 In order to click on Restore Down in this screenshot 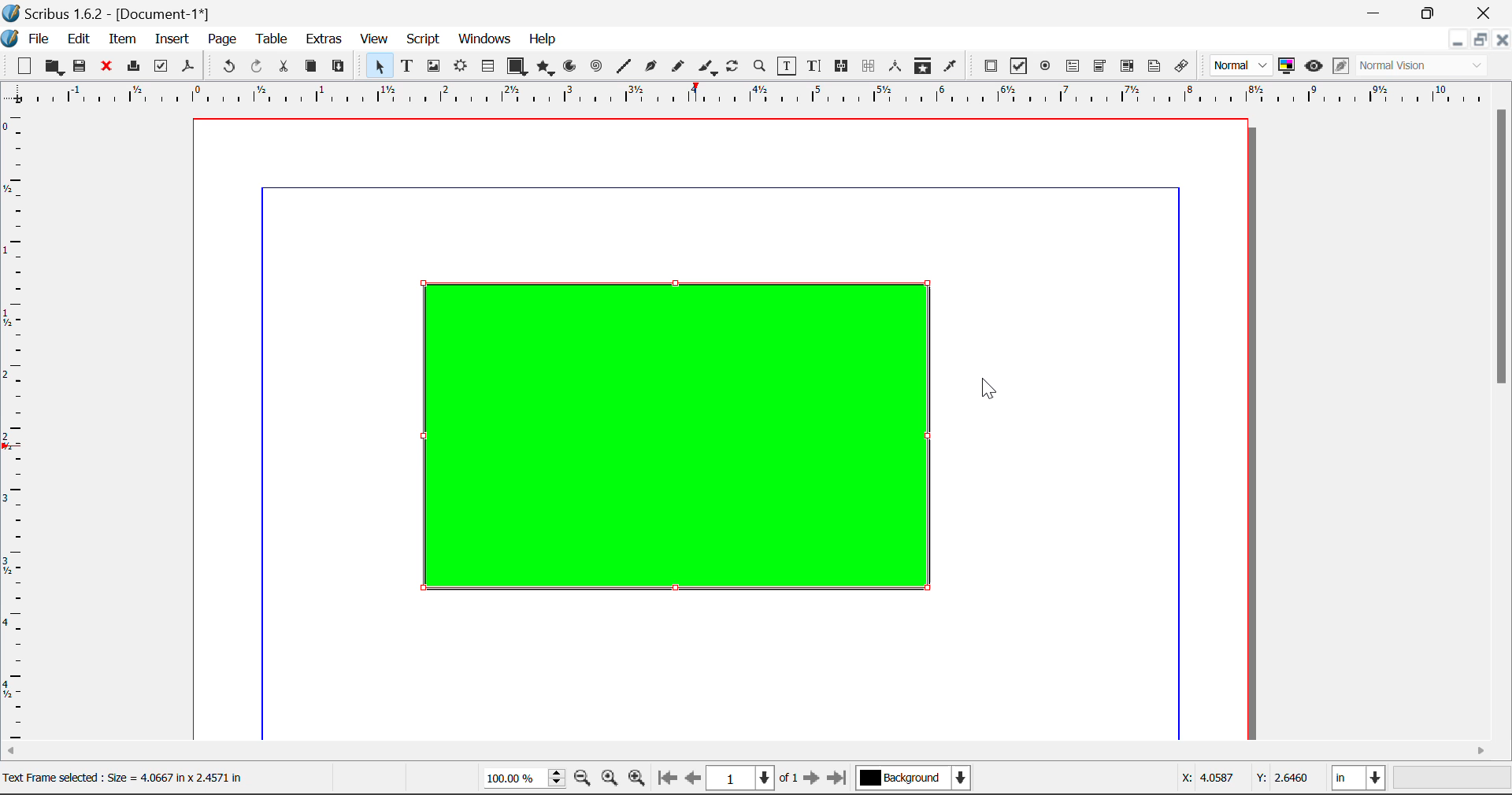, I will do `click(1377, 13)`.